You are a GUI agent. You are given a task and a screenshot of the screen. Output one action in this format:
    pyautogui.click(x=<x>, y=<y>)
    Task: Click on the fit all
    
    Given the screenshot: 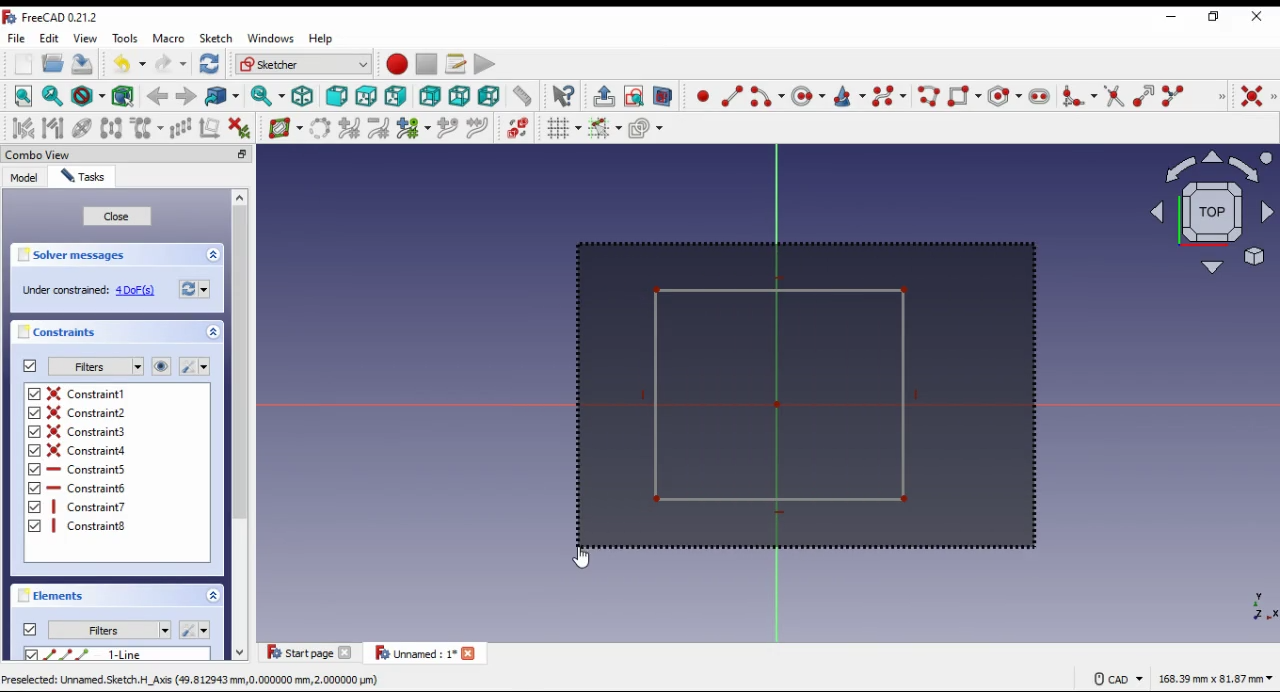 What is the action you would take?
    pyautogui.click(x=24, y=96)
    